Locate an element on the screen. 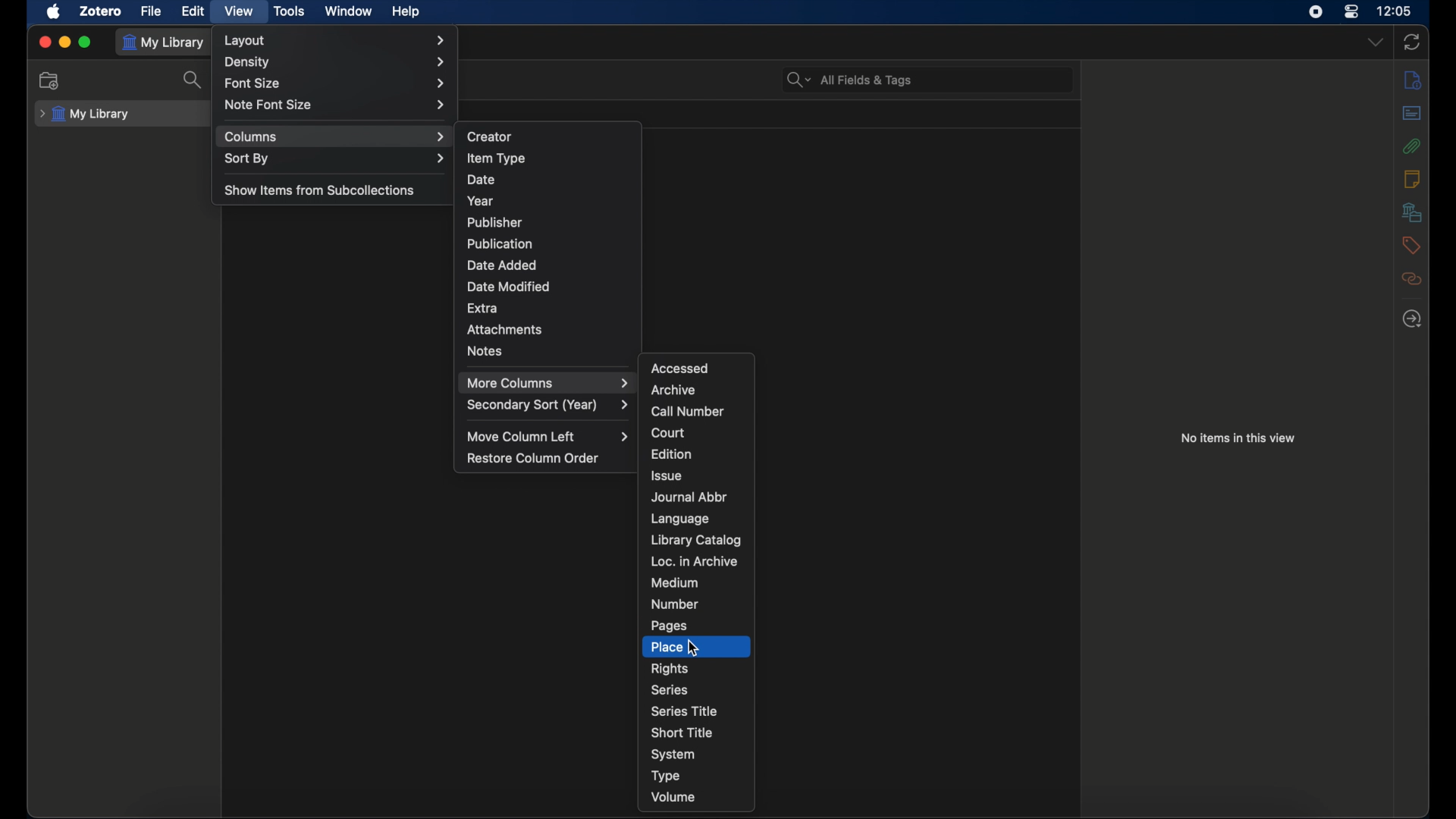 The height and width of the screenshot is (819, 1456). columns is located at coordinates (336, 136).